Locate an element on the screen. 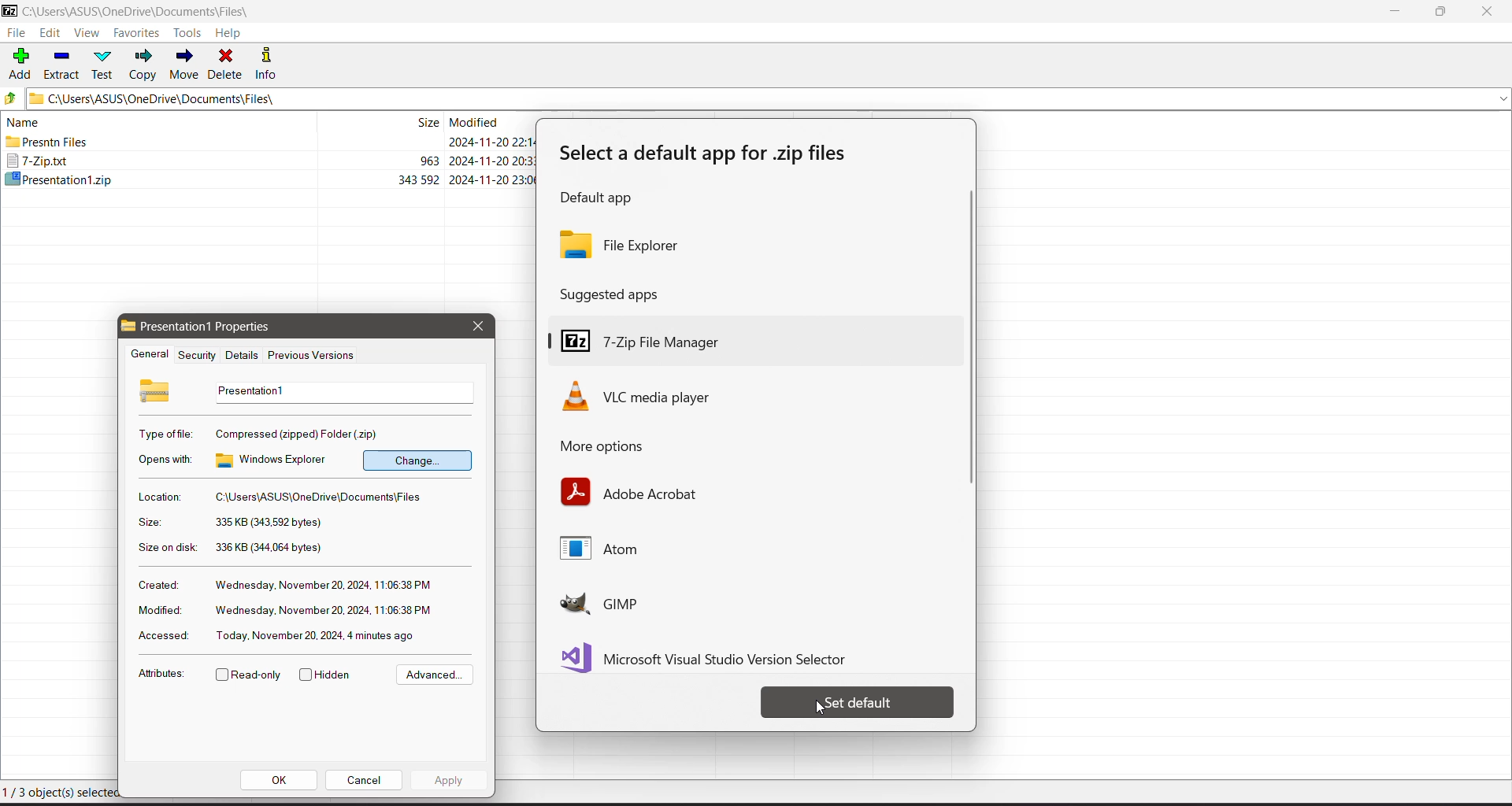 Image resolution: width=1512 pixels, height=806 pixels. OK is located at coordinates (280, 780).